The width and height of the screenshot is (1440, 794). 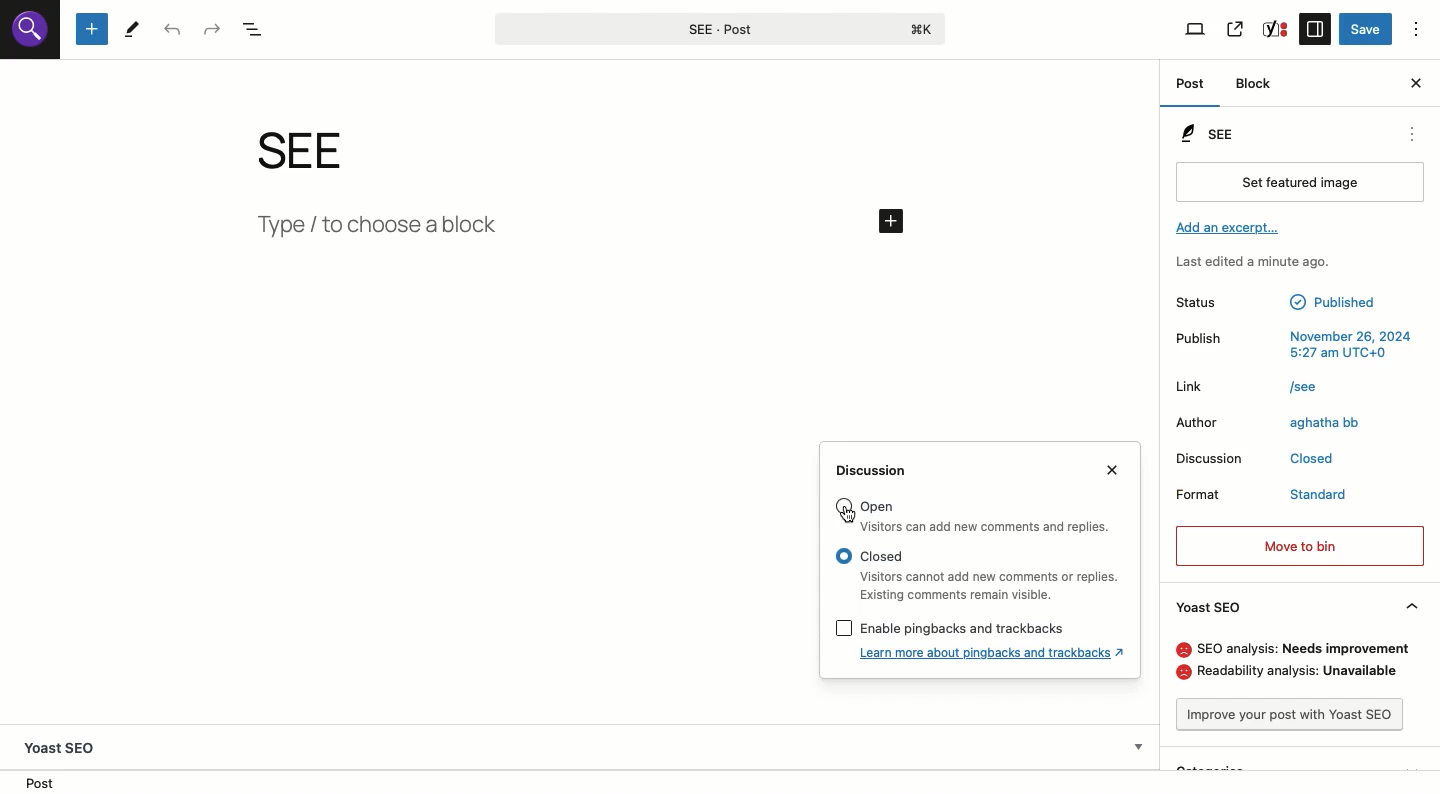 What do you see at coordinates (848, 517) in the screenshot?
I see `cursor` at bounding box center [848, 517].